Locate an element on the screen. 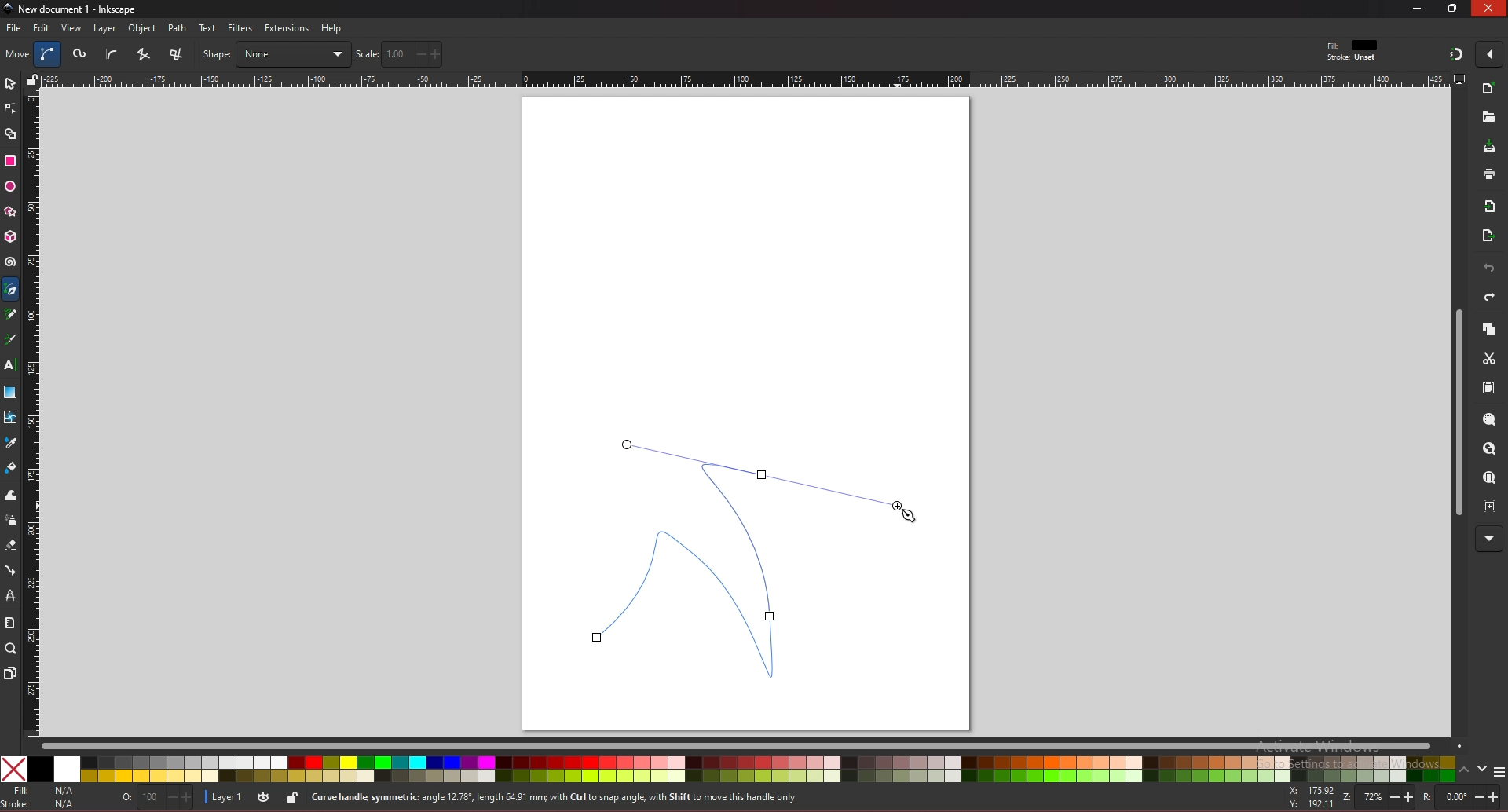  fit is located at coordinates (1354, 46).